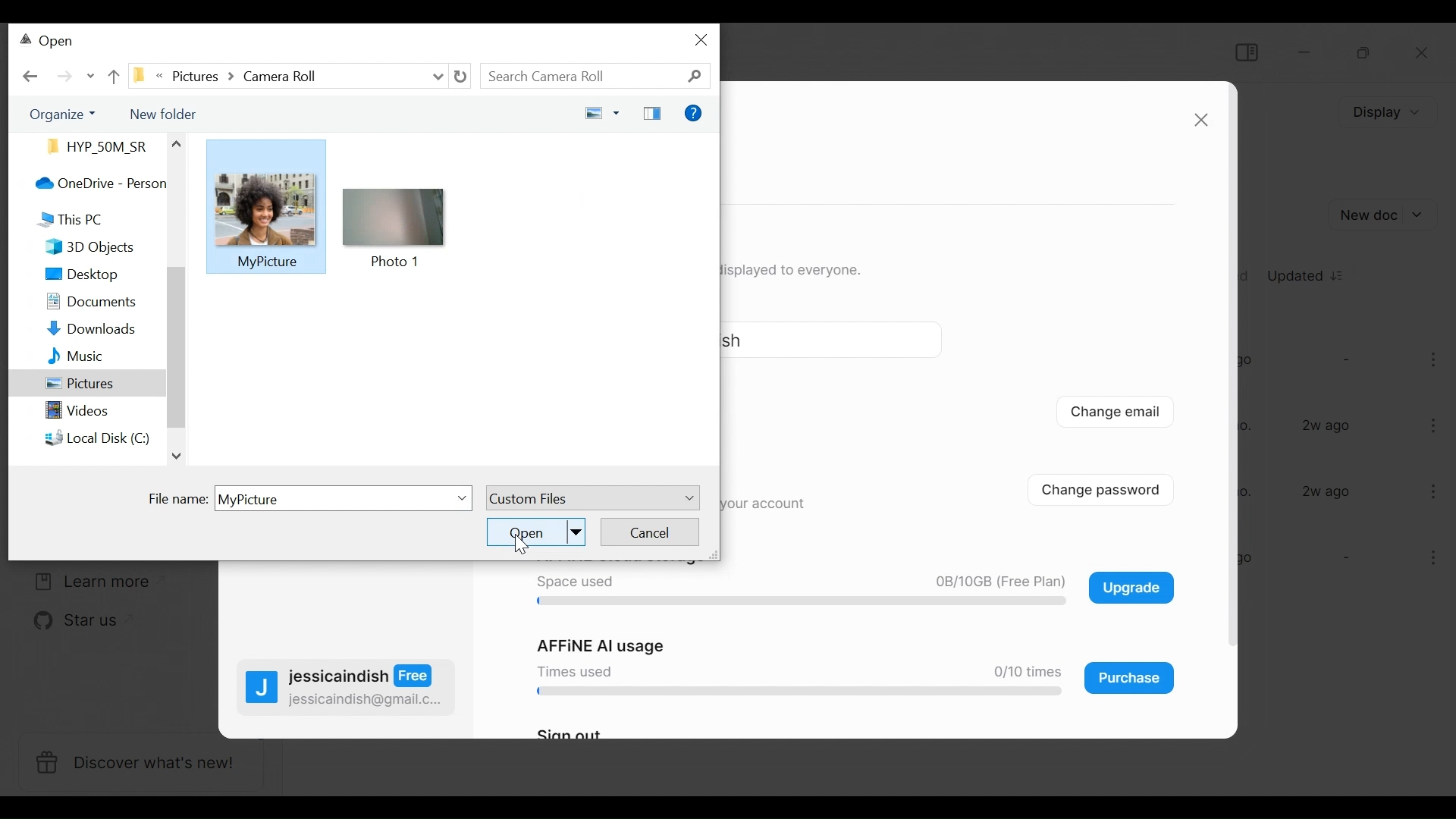 Image resolution: width=1456 pixels, height=819 pixels. Describe the element at coordinates (460, 77) in the screenshot. I see `Refresh` at that location.